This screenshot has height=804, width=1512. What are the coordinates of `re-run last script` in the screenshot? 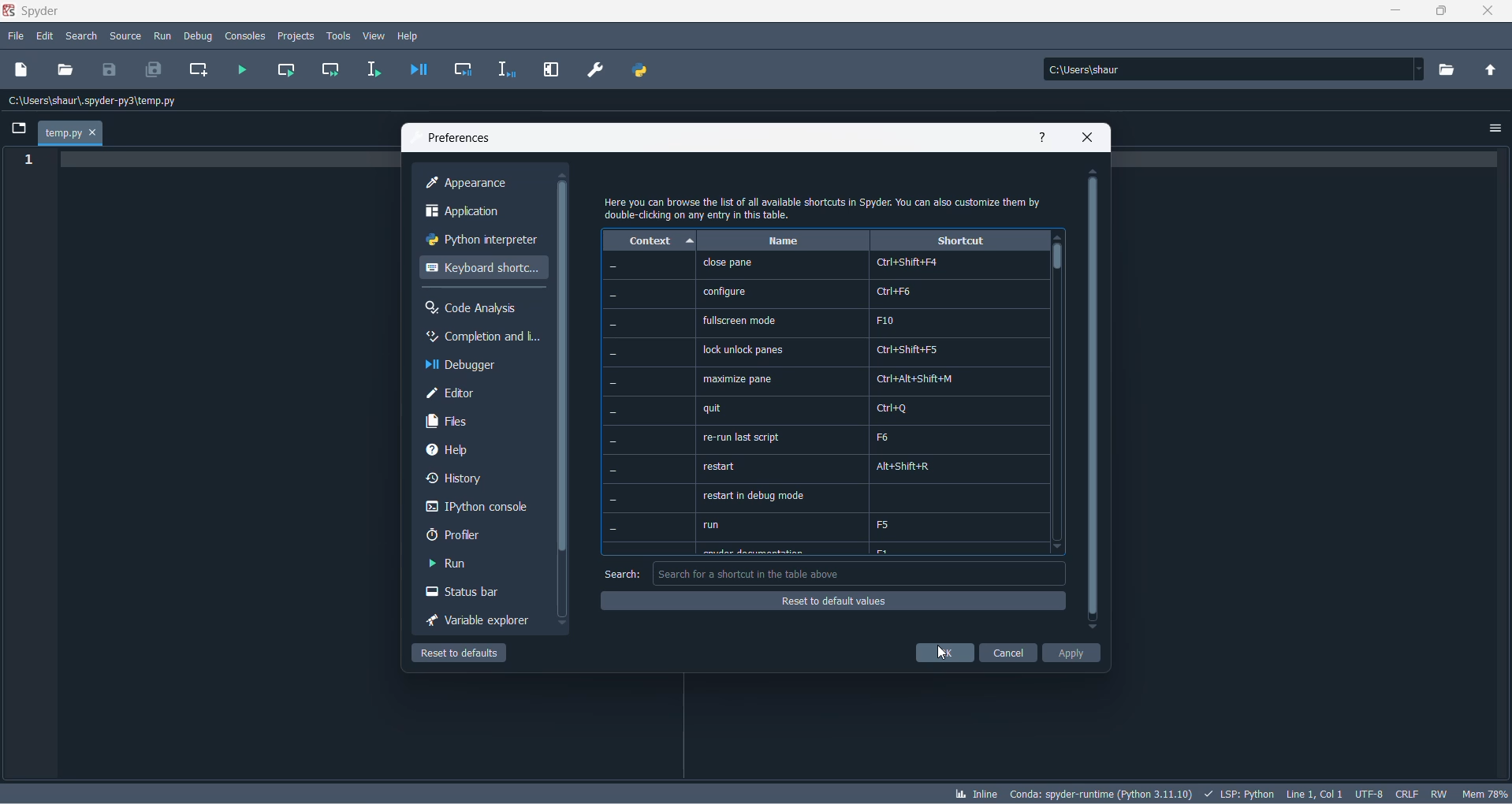 It's located at (739, 438).